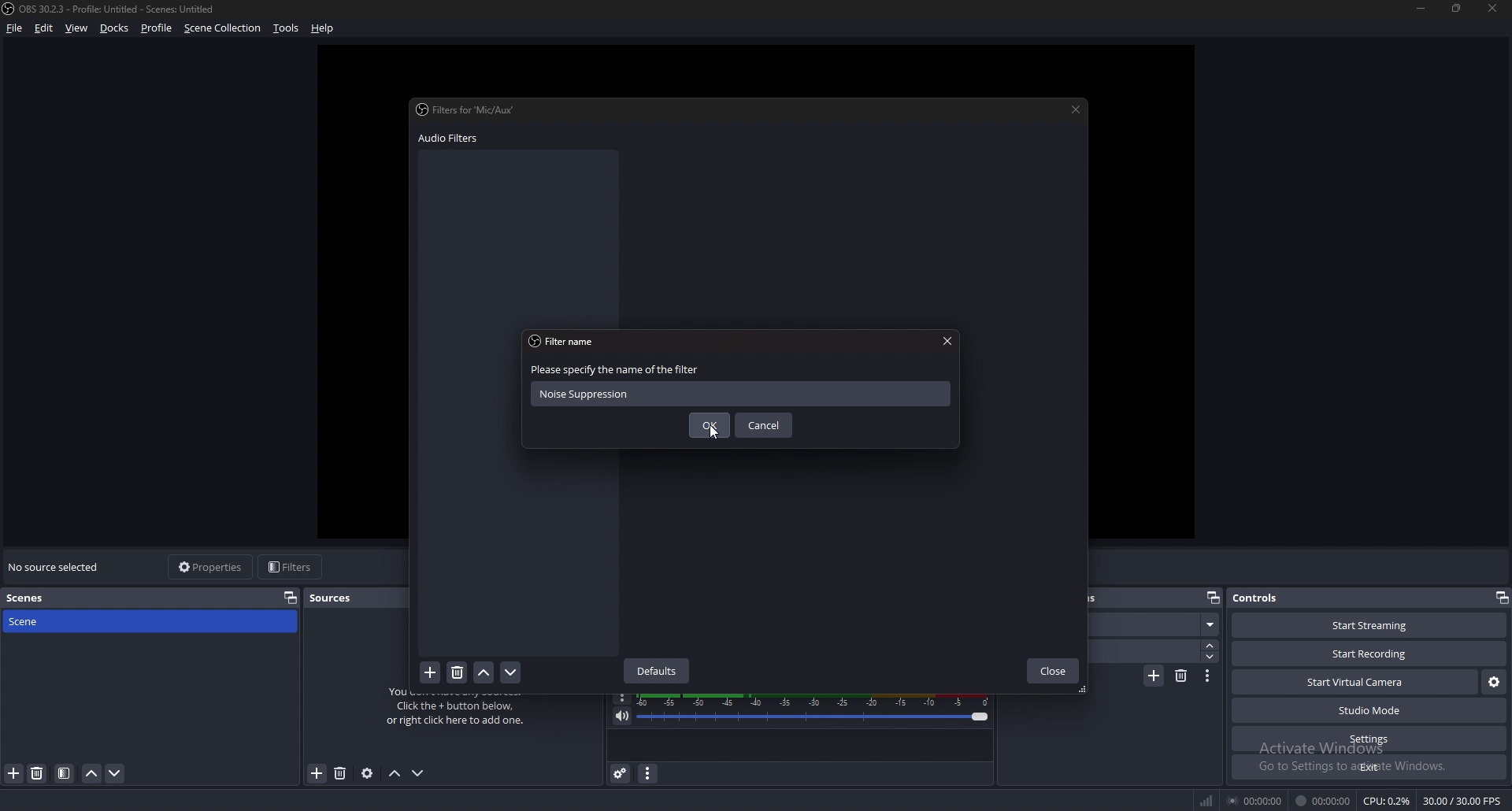 The image size is (1512, 811). I want to click on remove transition, so click(1182, 678).